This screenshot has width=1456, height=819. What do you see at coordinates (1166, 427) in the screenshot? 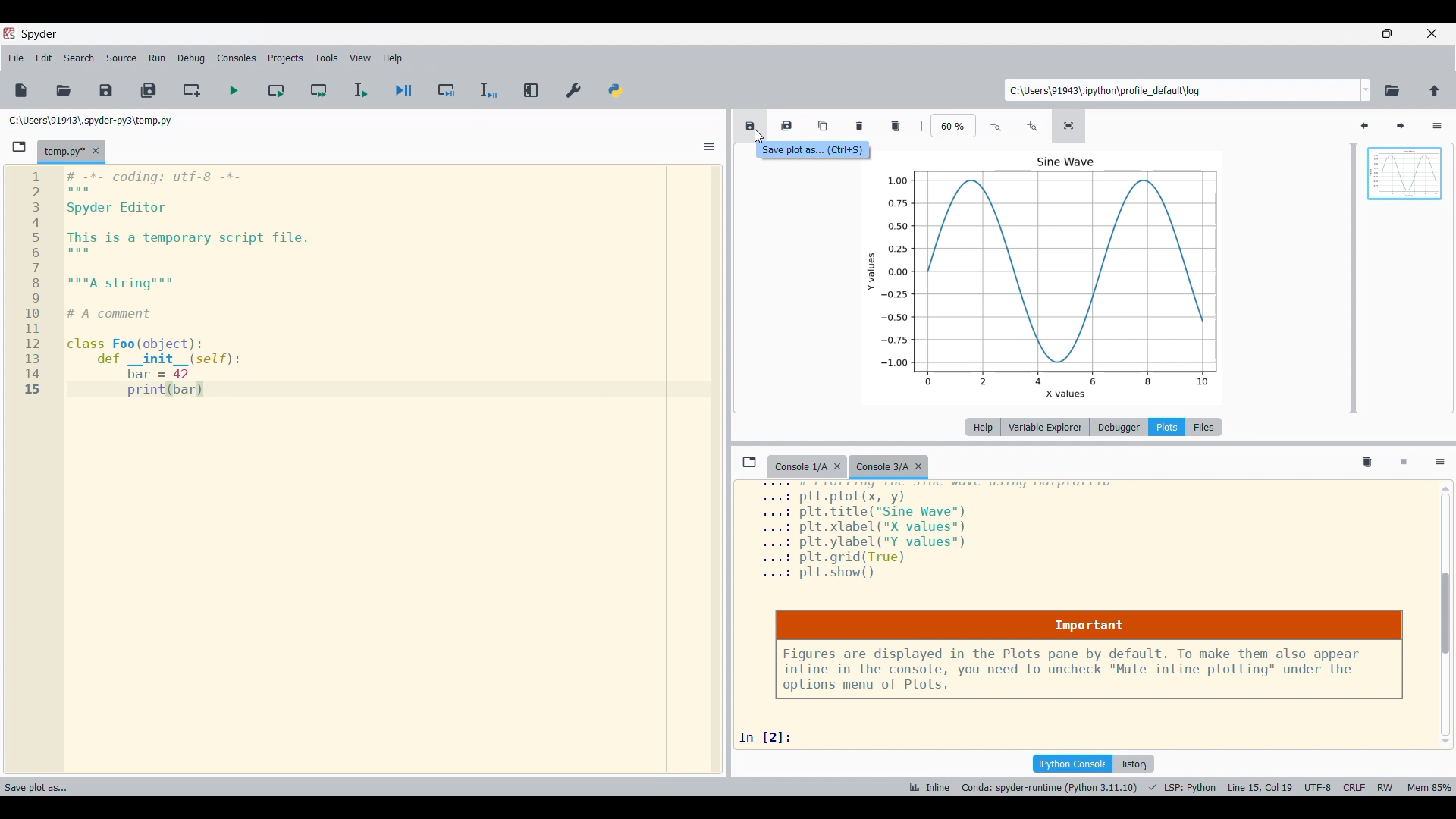
I see `Plots` at bounding box center [1166, 427].